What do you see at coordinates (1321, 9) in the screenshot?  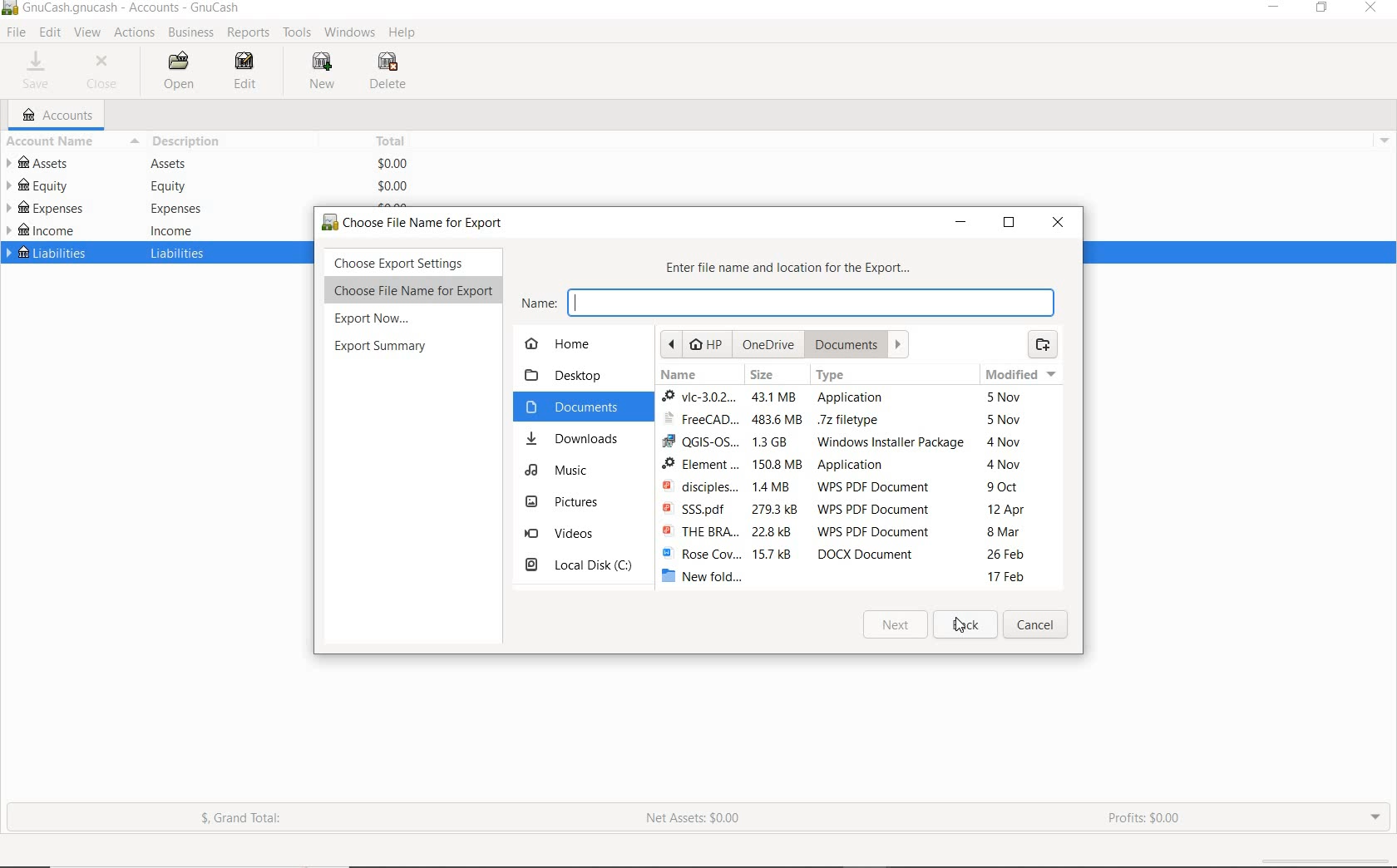 I see `RESTORE DOWN` at bounding box center [1321, 9].